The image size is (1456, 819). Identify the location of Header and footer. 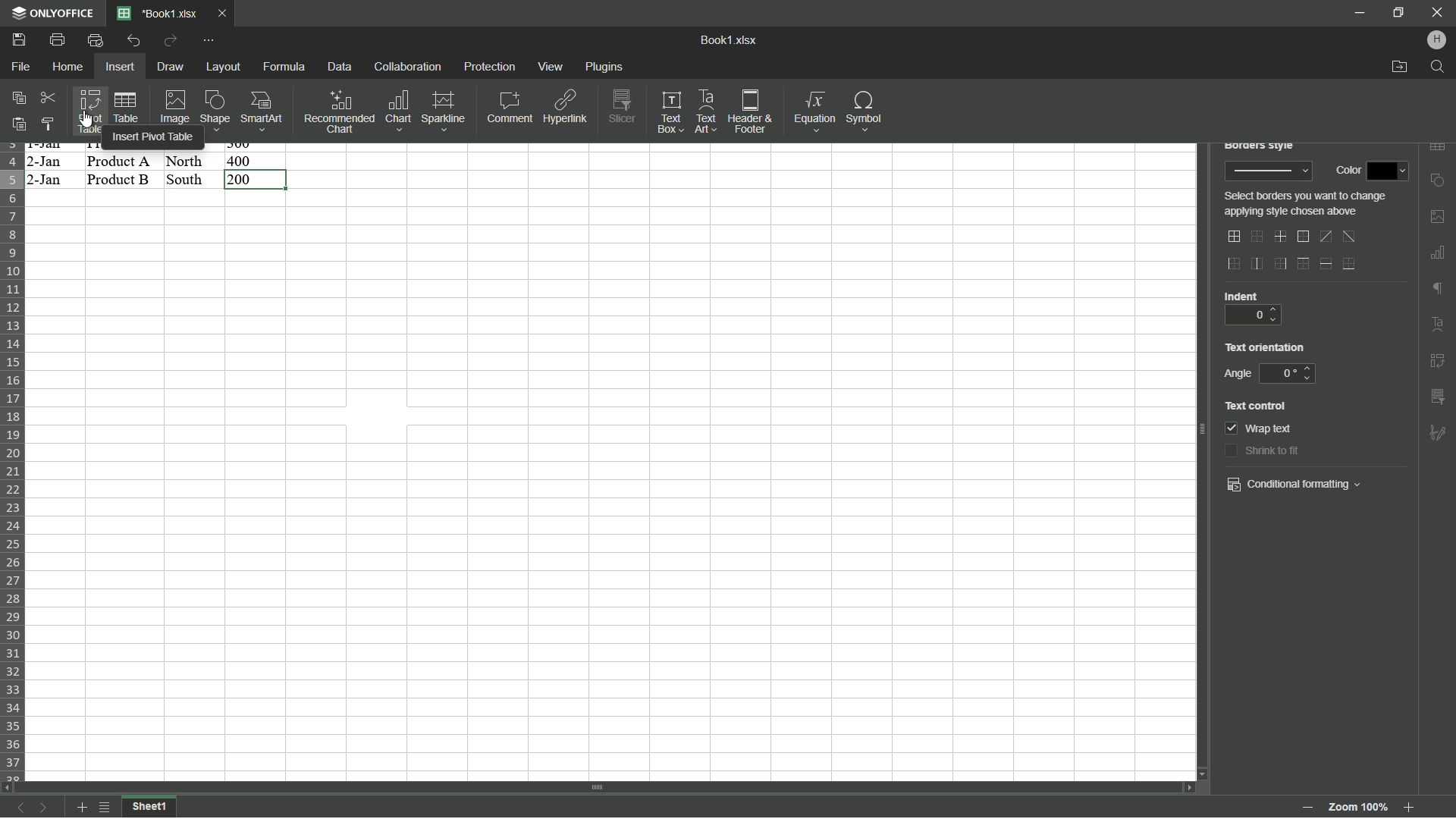
(755, 112).